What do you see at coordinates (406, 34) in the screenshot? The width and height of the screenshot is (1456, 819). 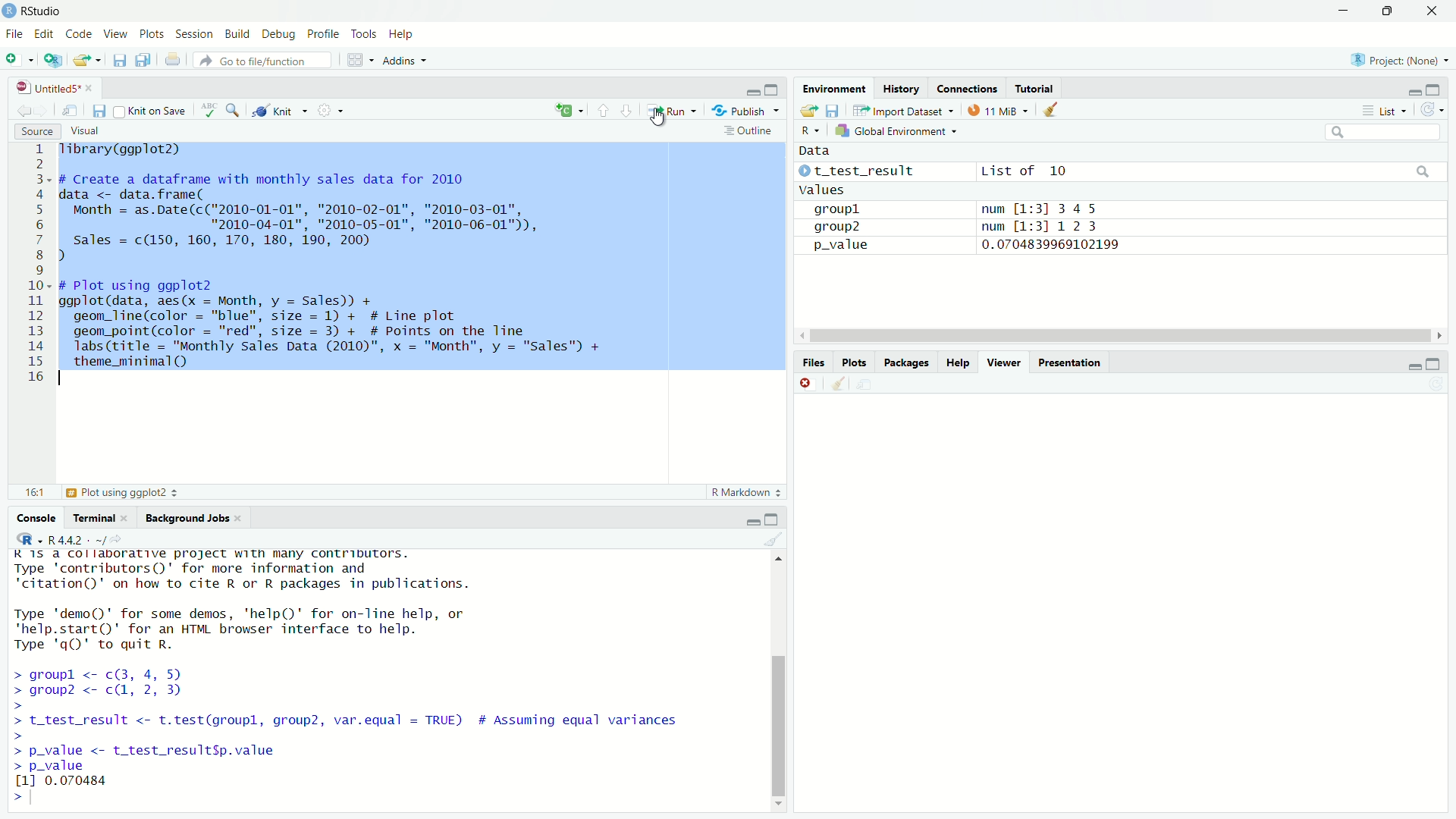 I see `Help` at bounding box center [406, 34].